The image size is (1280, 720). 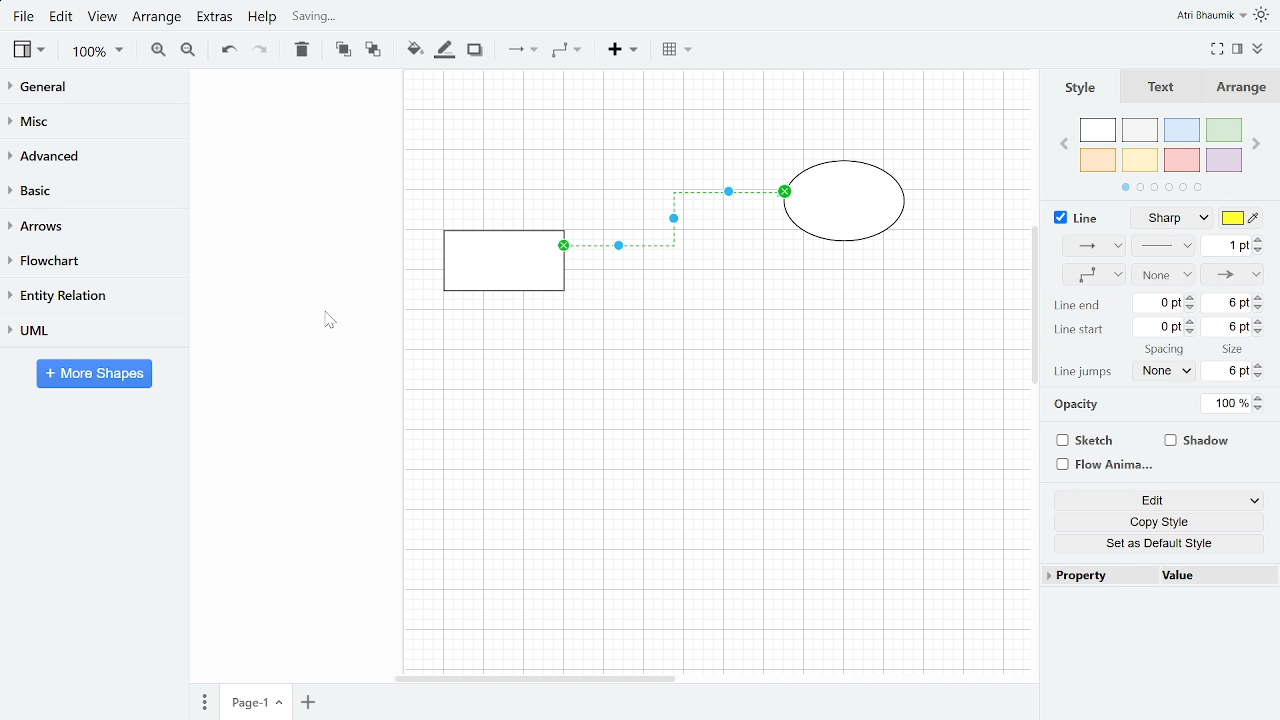 I want to click on blue, so click(x=1182, y=131).